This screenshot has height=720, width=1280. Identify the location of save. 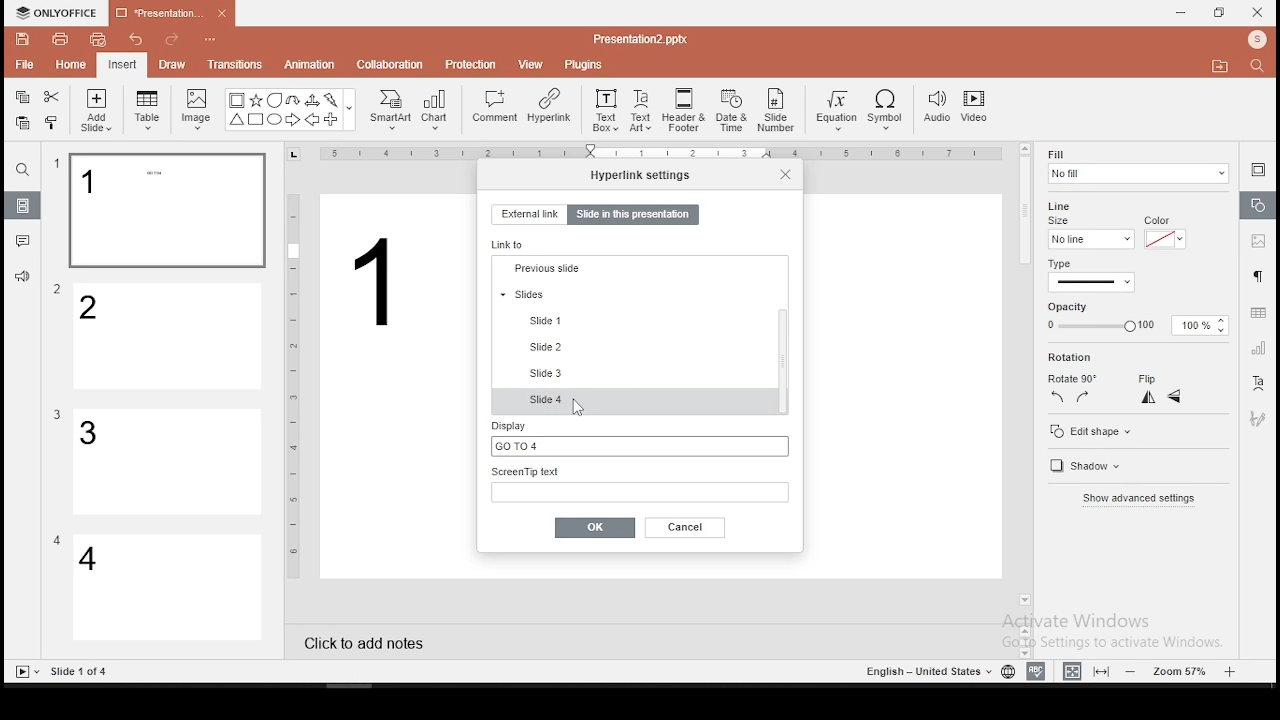
(23, 38).